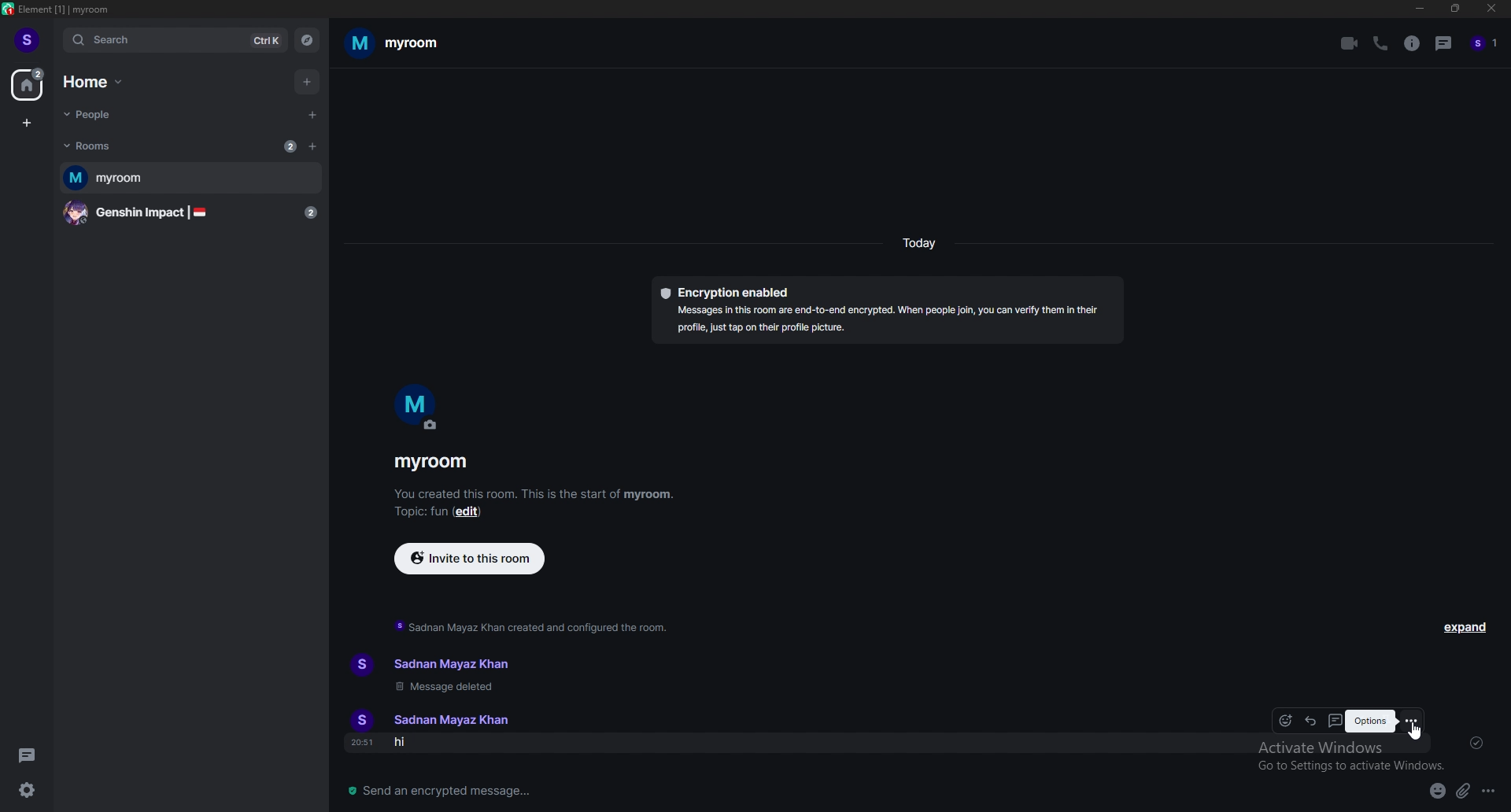 This screenshot has height=812, width=1511. I want to click on cursor, so click(1413, 734).